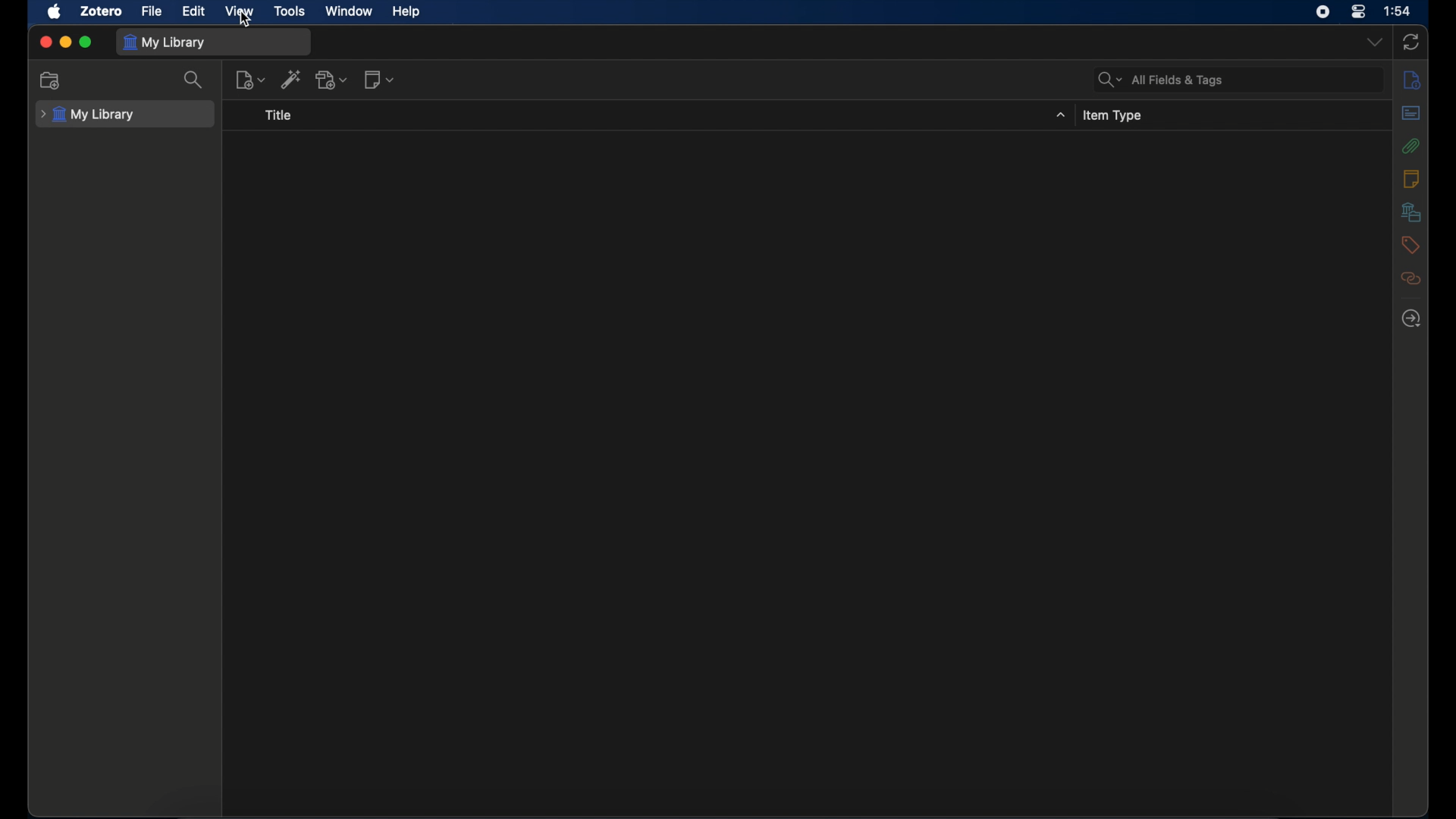 The height and width of the screenshot is (819, 1456). Describe the element at coordinates (350, 11) in the screenshot. I see `window` at that location.